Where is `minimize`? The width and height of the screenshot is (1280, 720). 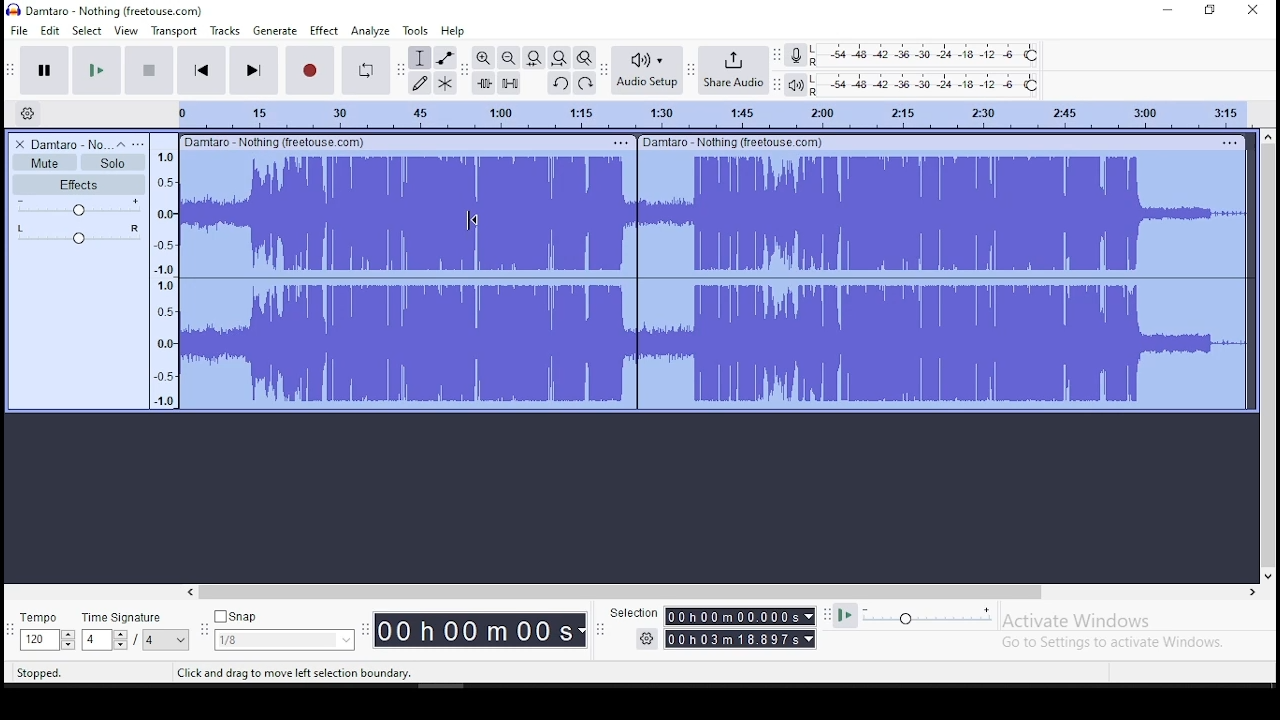
minimize is located at coordinates (1162, 11).